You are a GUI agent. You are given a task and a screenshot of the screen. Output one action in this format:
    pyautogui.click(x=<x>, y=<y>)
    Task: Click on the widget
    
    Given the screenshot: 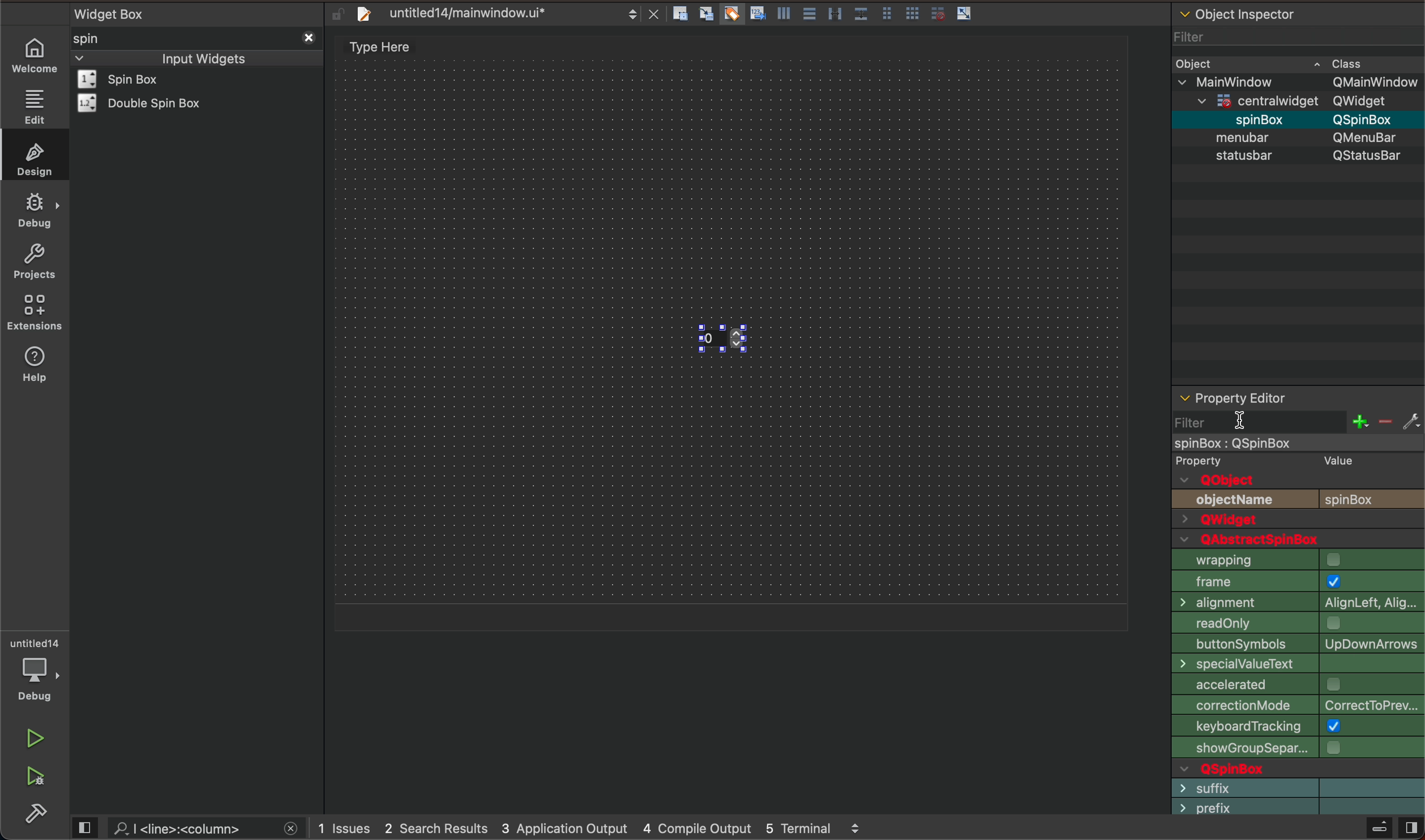 What is the action you would take?
    pyautogui.click(x=146, y=103)
    